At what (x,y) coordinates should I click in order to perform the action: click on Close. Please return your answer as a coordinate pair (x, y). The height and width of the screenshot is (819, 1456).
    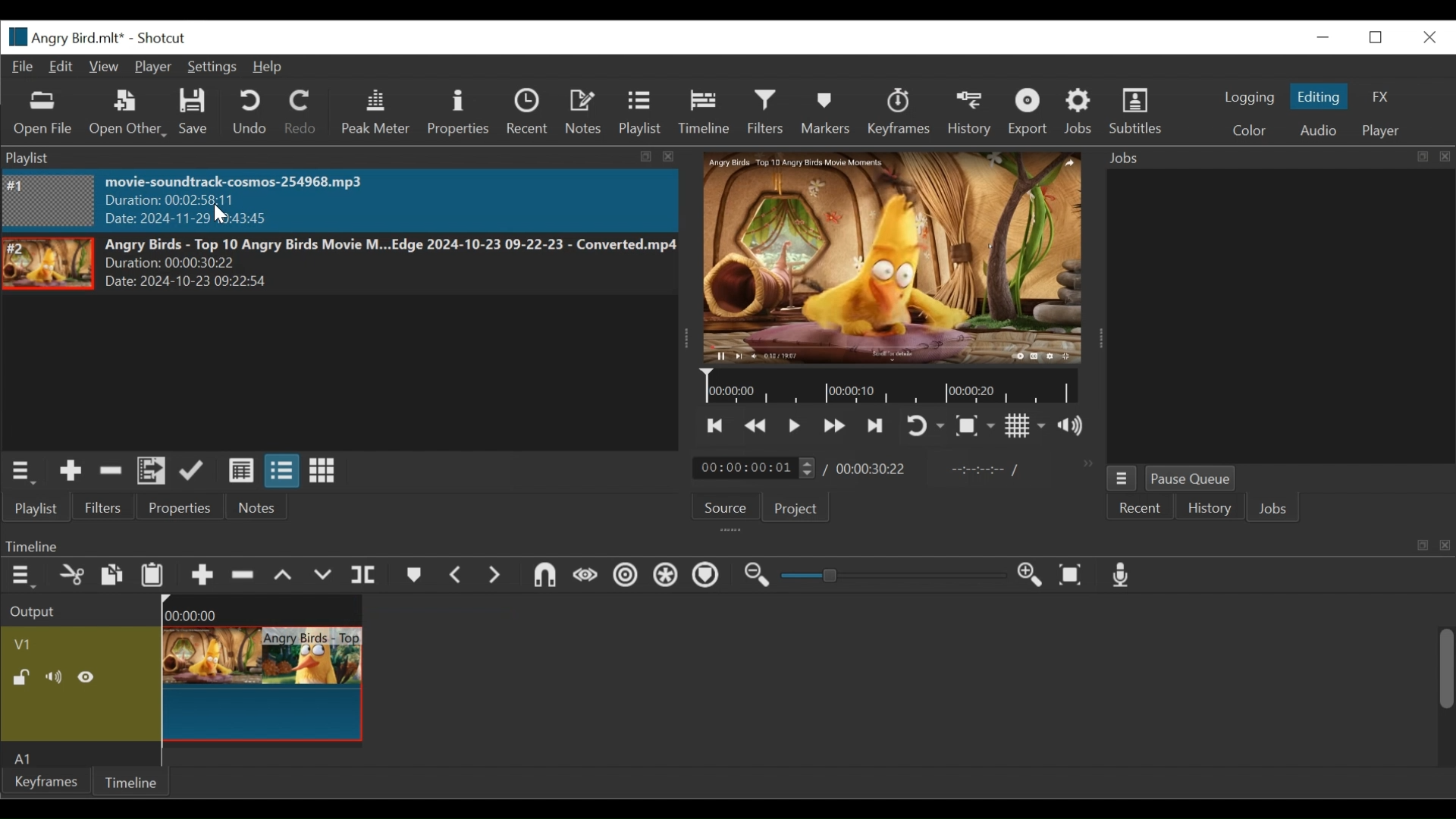
    Looking at the image, I should click on (1429, 35).